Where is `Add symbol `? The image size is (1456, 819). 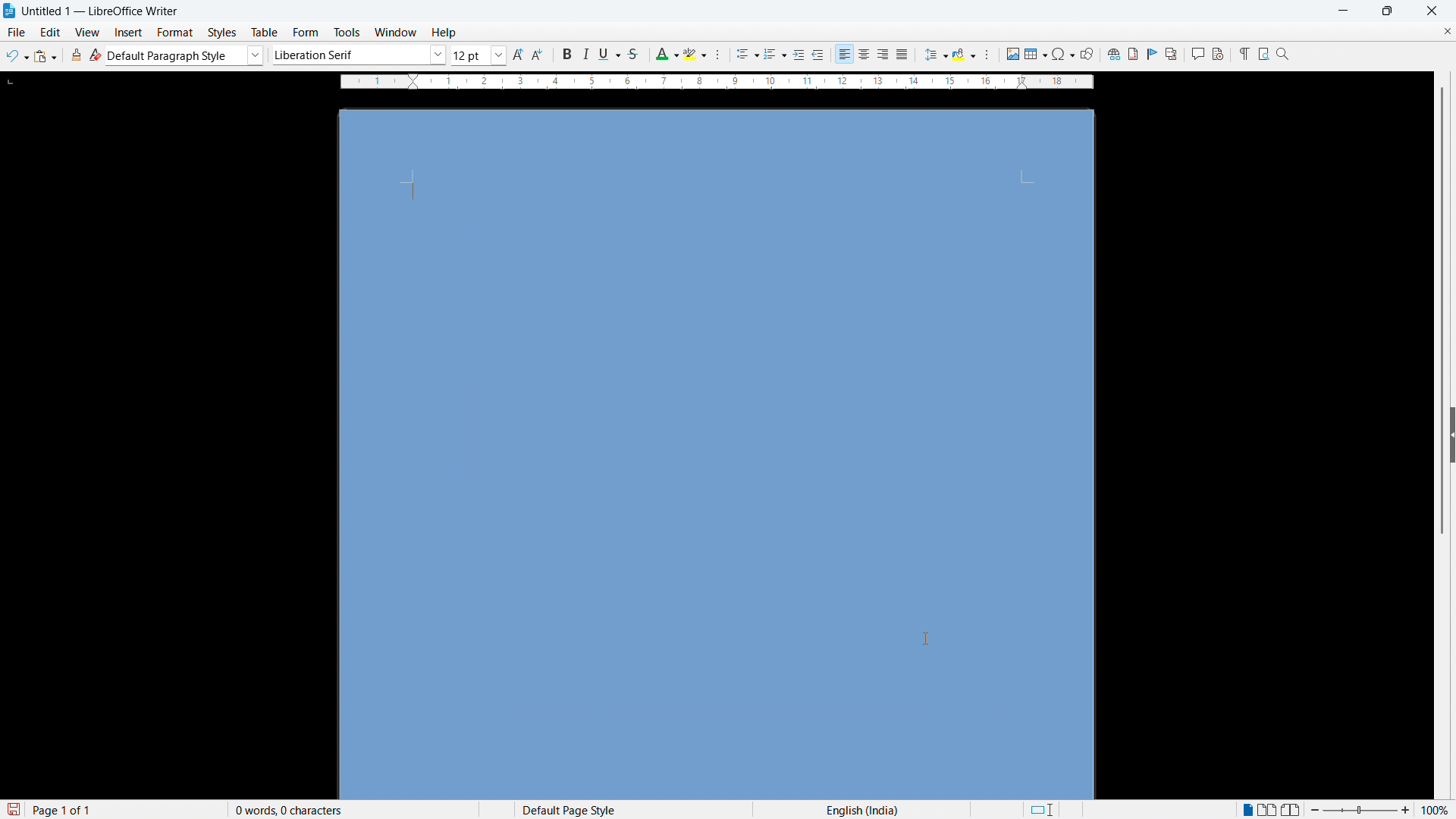
Add symbol  is located at coordinates (1062, 53).